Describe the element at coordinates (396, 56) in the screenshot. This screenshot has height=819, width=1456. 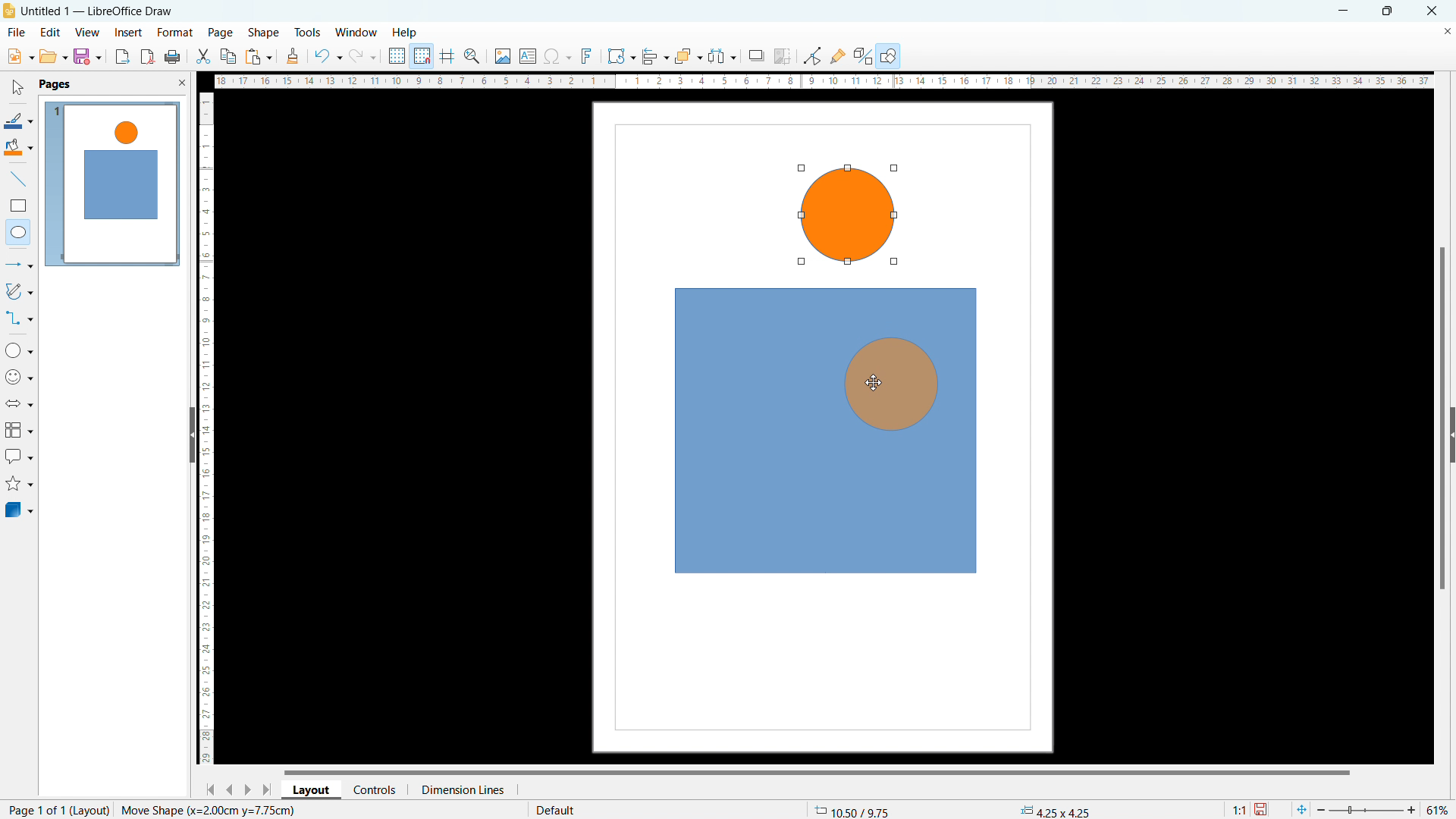
I see `display grid` at that location.